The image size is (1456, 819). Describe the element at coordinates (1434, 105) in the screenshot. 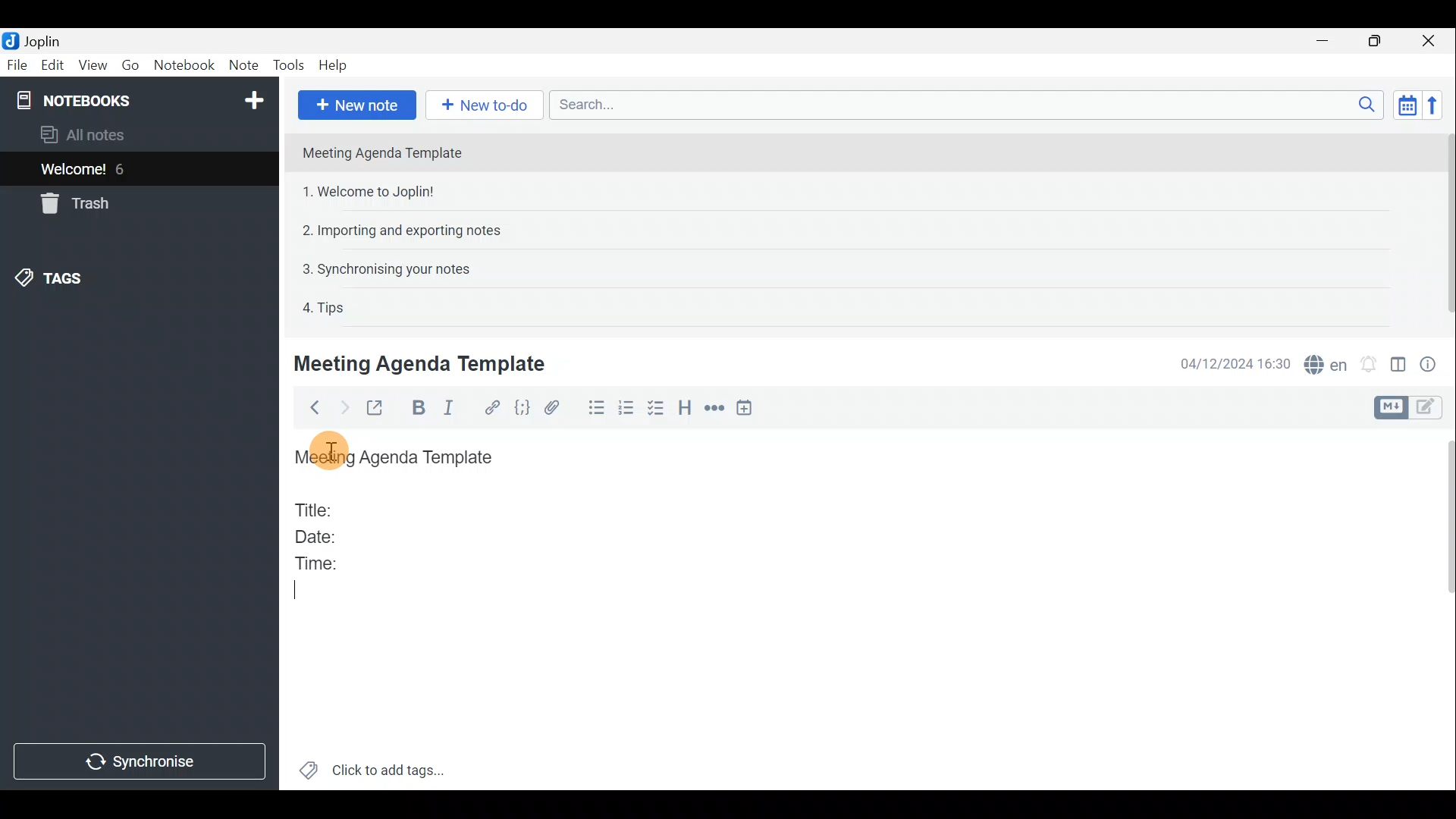

I see `Reverse sort order` at that location.